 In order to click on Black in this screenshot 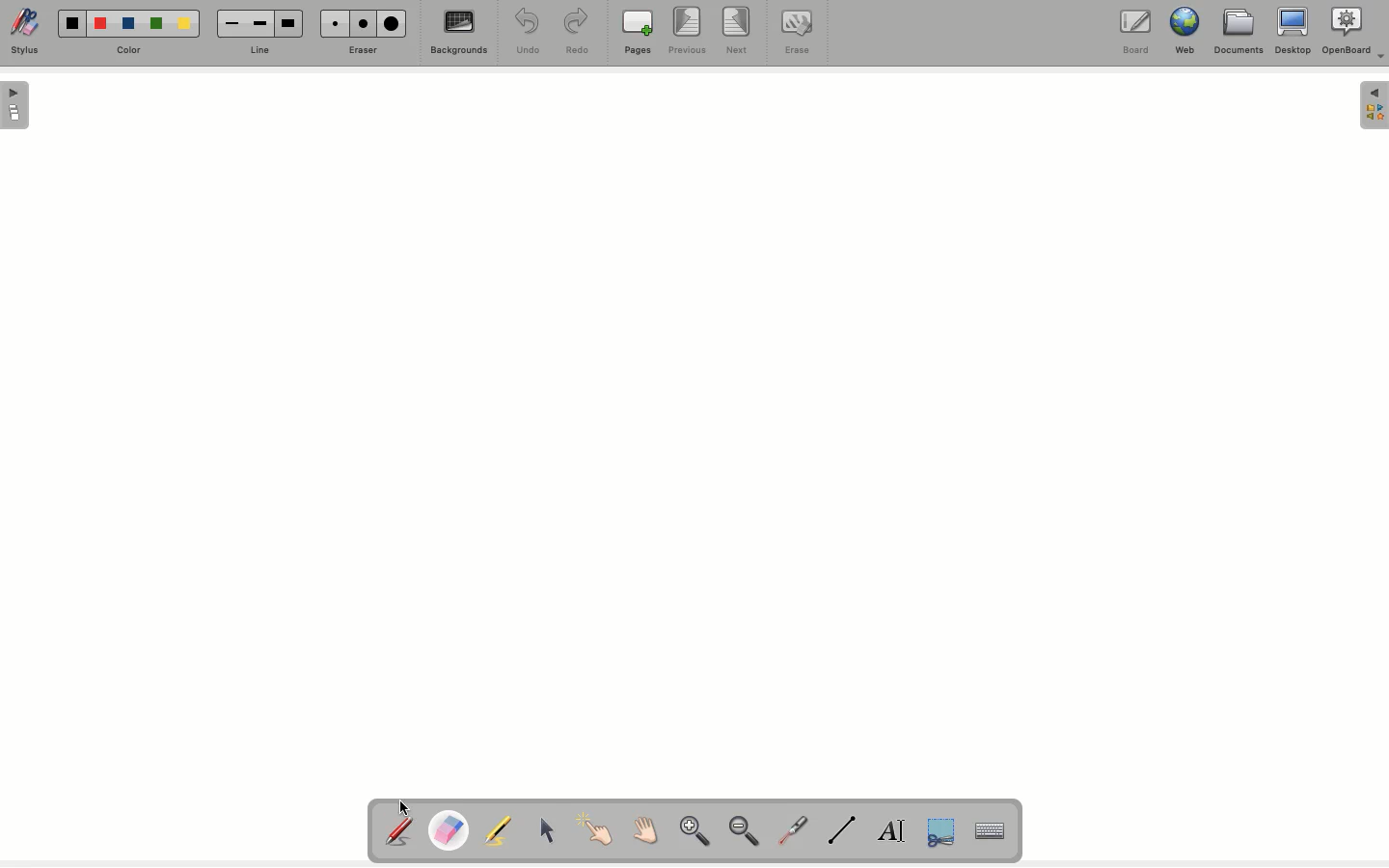, I will do `click(73, 22)`.